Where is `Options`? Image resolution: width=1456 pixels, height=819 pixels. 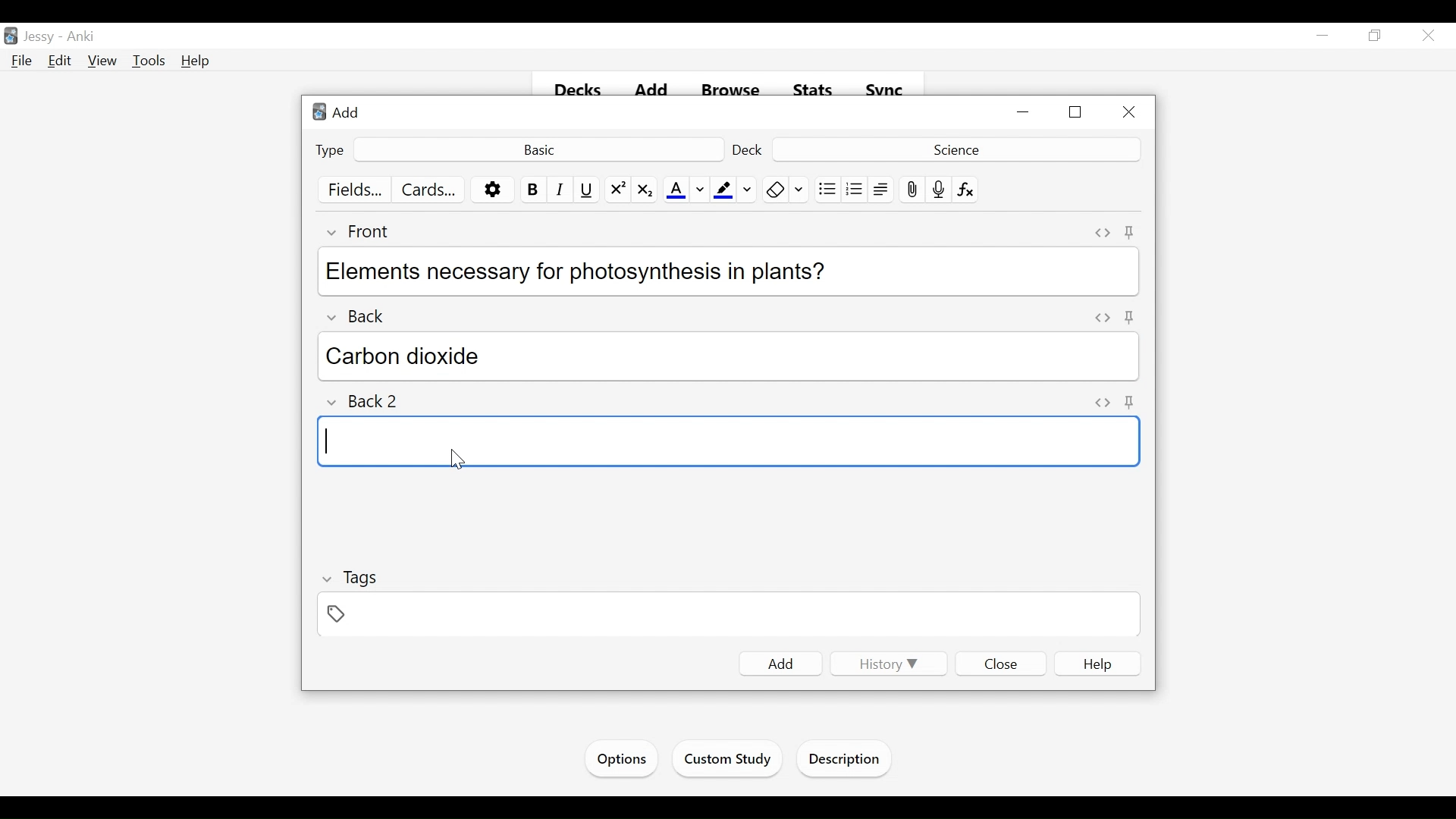
Options is located at coordinates (620, 759).